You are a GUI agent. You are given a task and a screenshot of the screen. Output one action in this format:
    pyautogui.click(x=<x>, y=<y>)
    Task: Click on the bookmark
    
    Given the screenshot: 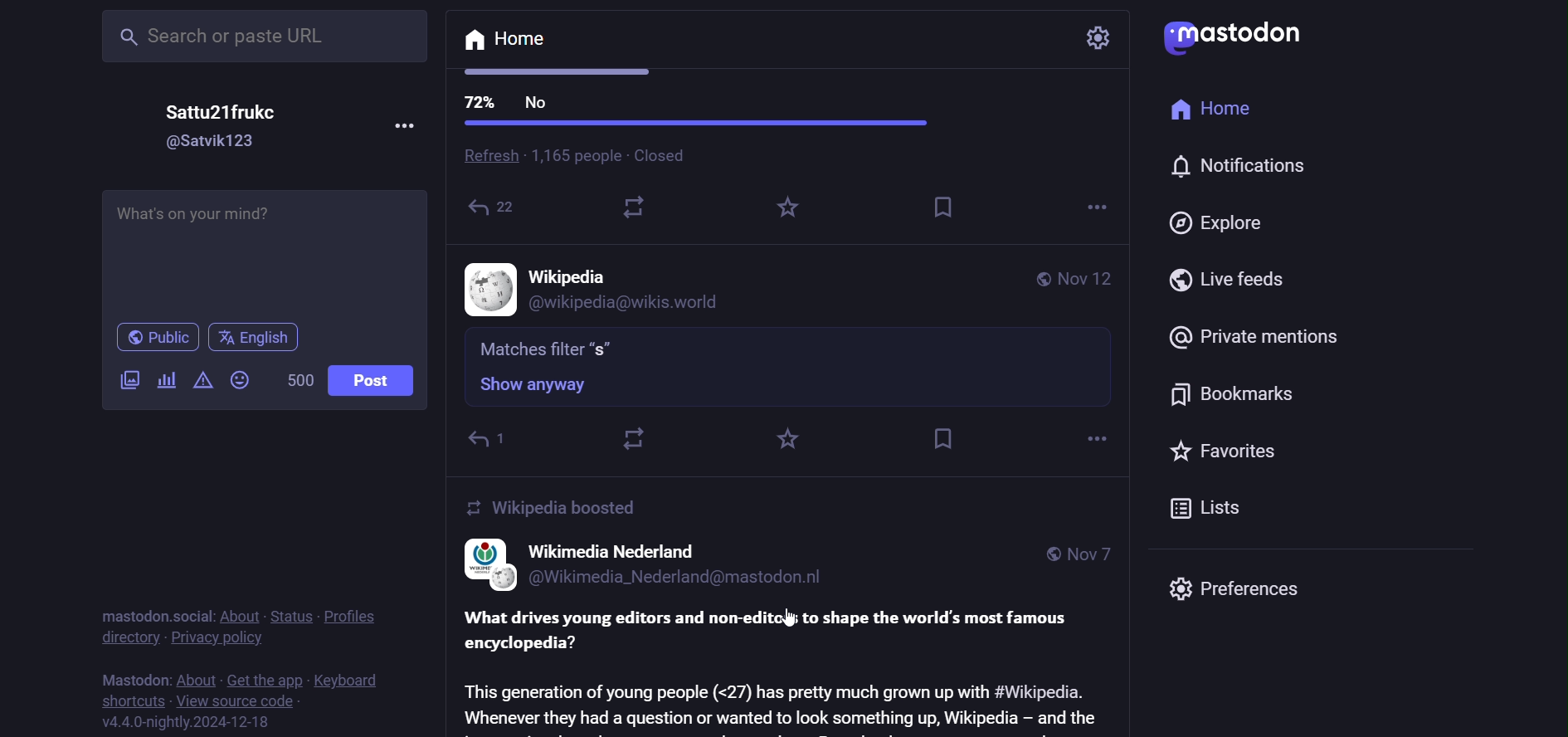 What is the action you would take?
    pyautogui.click(x=1245, y=397)
    